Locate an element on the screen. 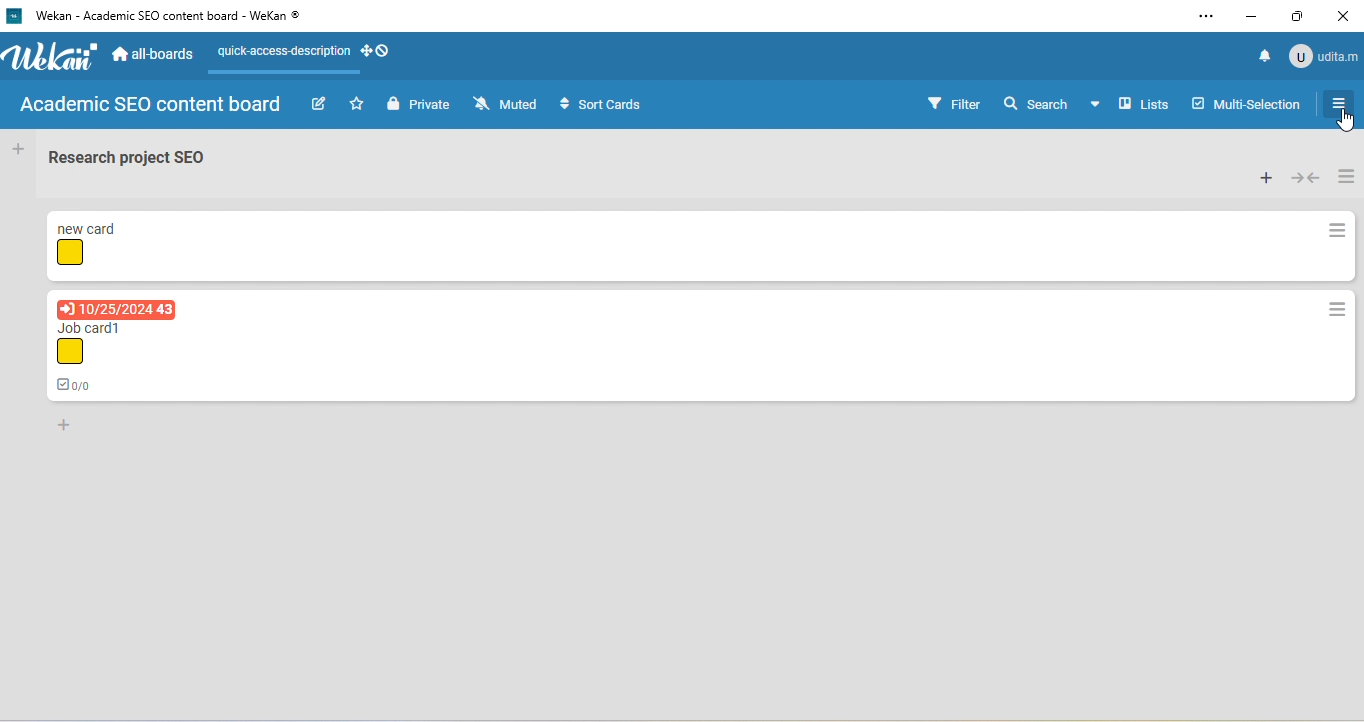  minimize is located at coordinates (1252, 15).